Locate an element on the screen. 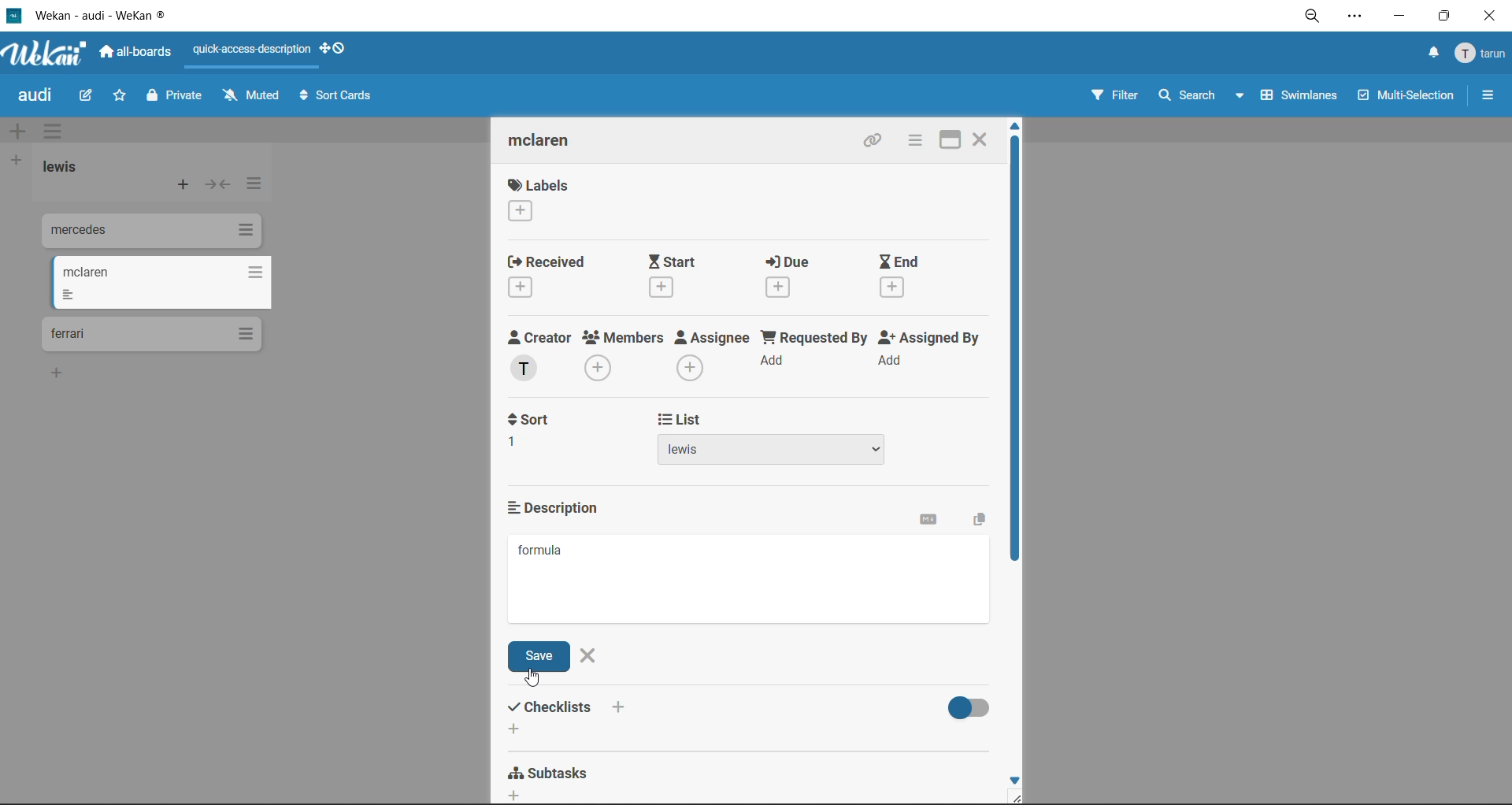  settings is located at coordinates (1354, 18).